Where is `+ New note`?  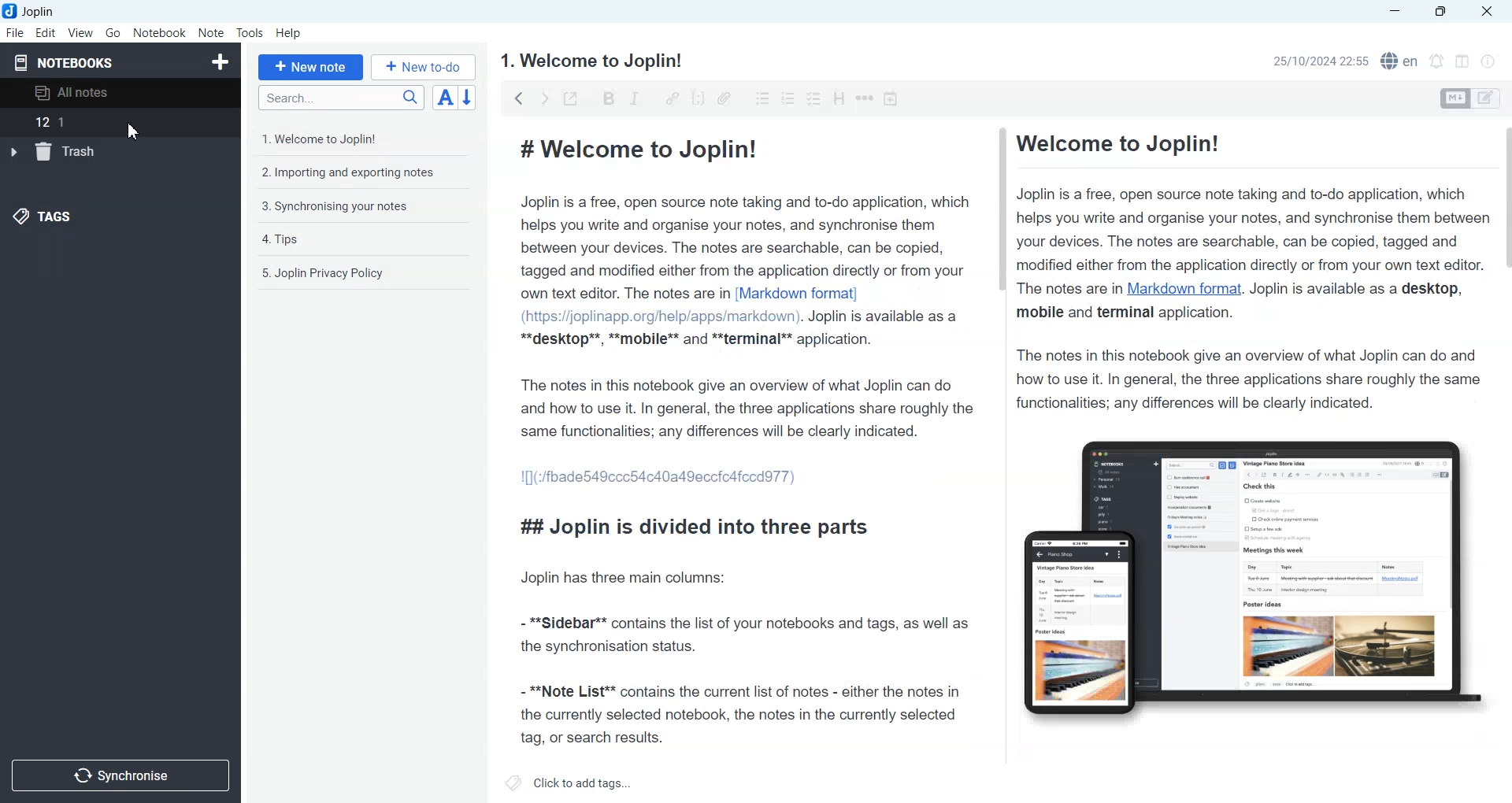
+ New note is located at coordinates (311, 67).